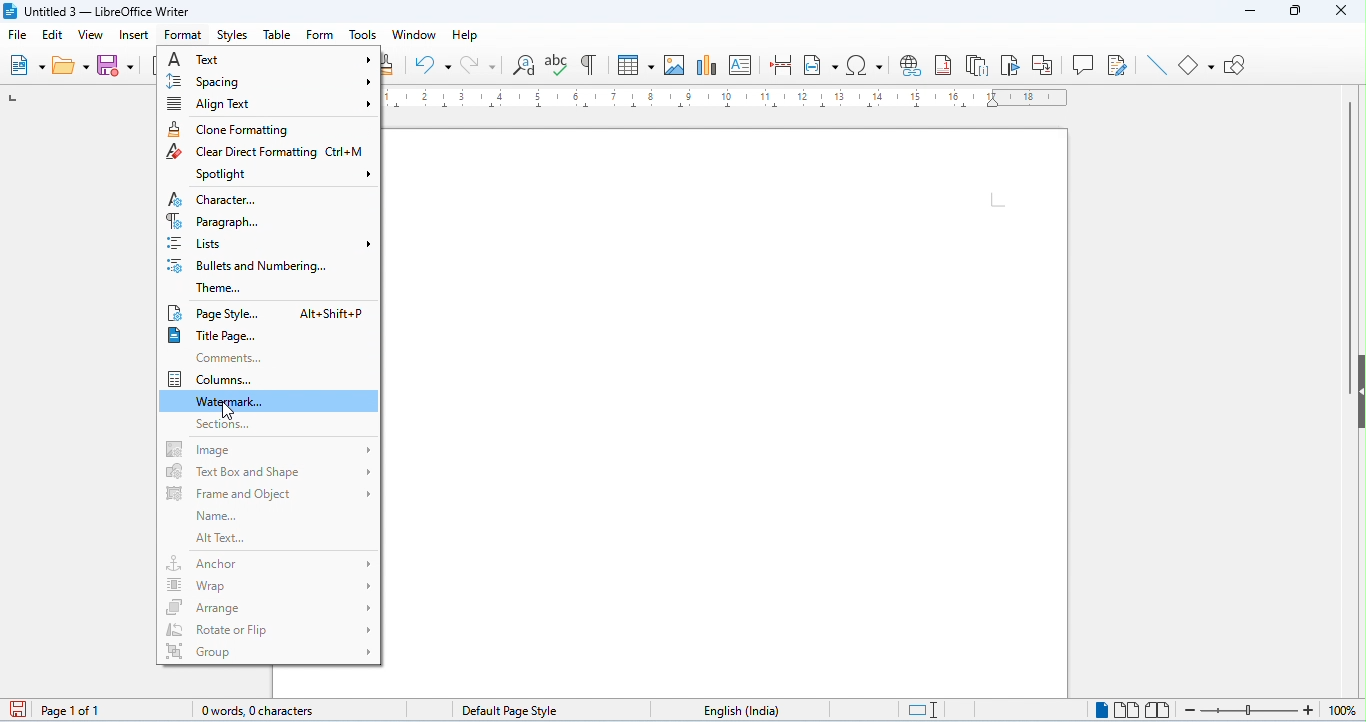 This screenshot has width=1366, height=722. I want to click on comments, so click(241, 355).